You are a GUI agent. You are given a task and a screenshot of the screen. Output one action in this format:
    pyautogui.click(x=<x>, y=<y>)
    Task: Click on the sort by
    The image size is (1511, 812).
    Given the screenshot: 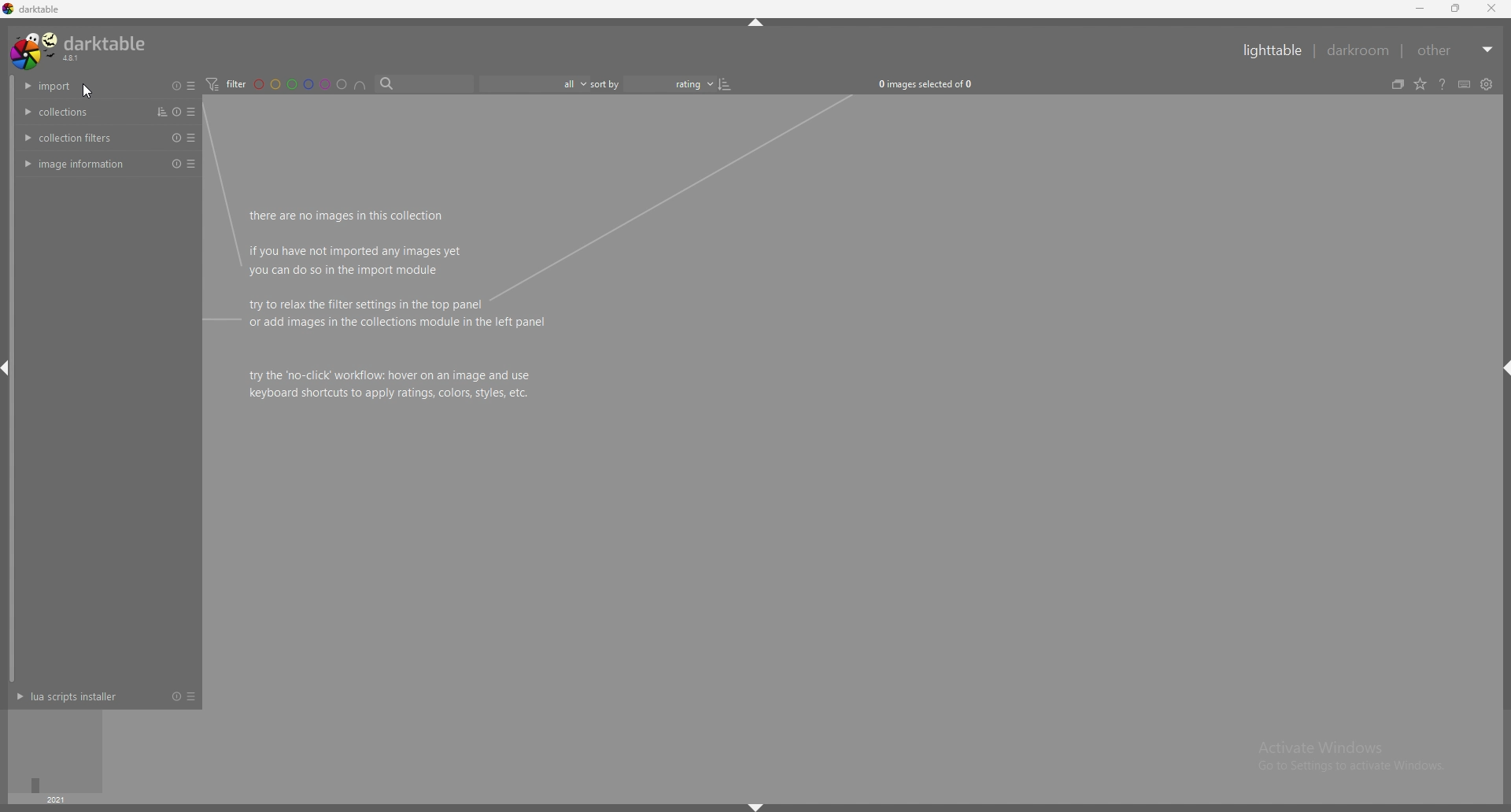 What is the action you would take?
    pyautogui.click(x=652, y=83)
    